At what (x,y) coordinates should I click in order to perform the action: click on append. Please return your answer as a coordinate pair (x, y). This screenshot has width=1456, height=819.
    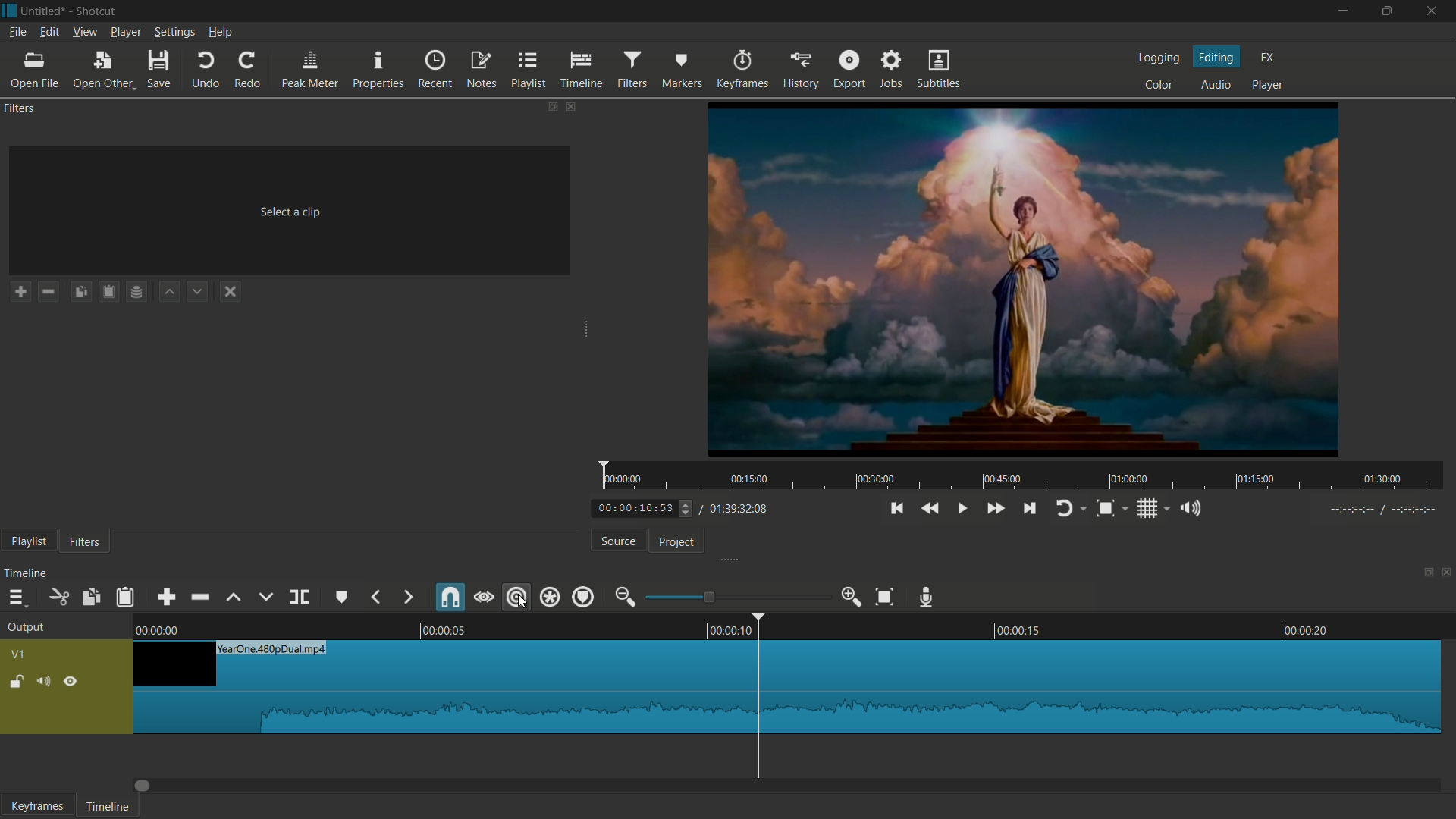
    Looking at the image, I should click on (166, 597).